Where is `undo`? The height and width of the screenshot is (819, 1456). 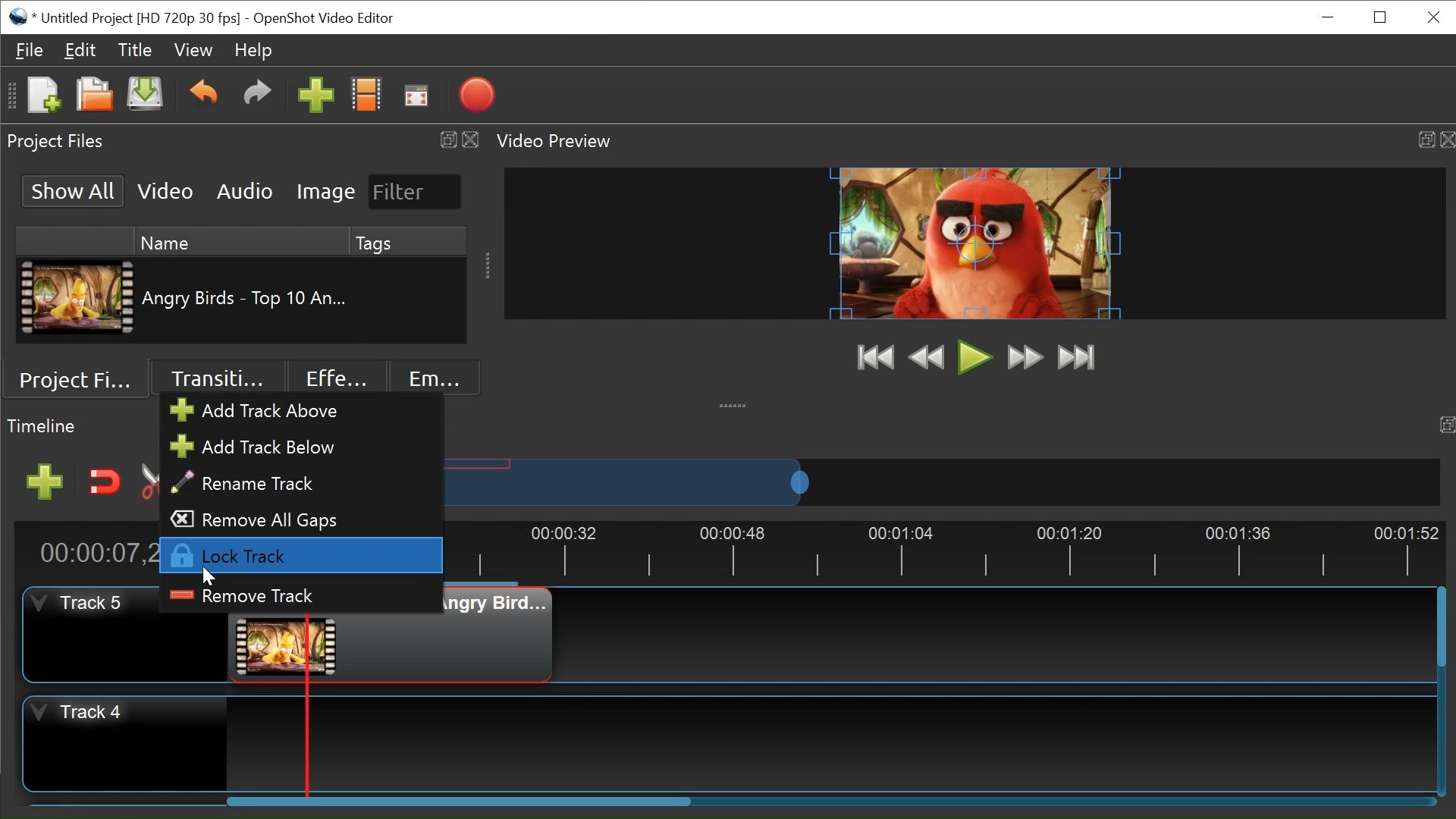
undo is located at coordinates (206, 96).